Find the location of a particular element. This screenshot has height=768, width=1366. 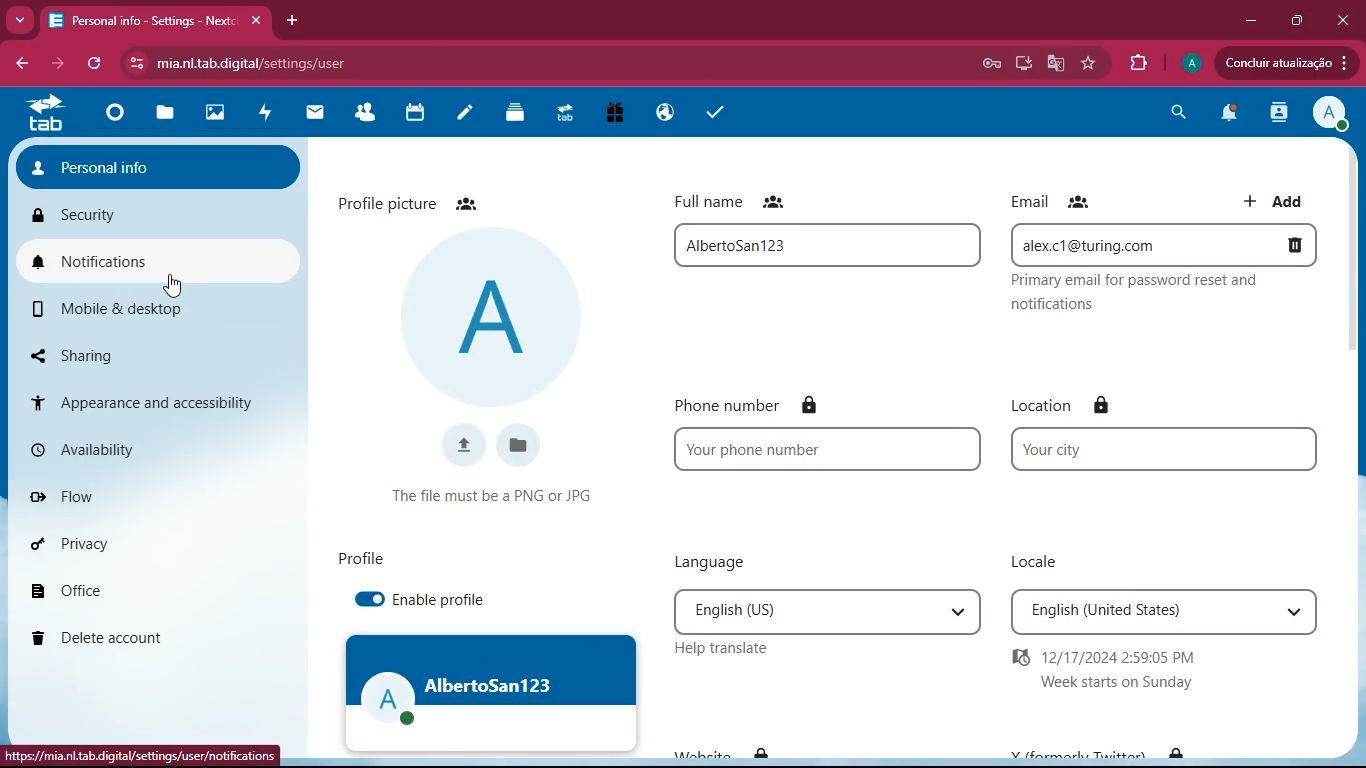

upload is located at coordinates (458, 444).